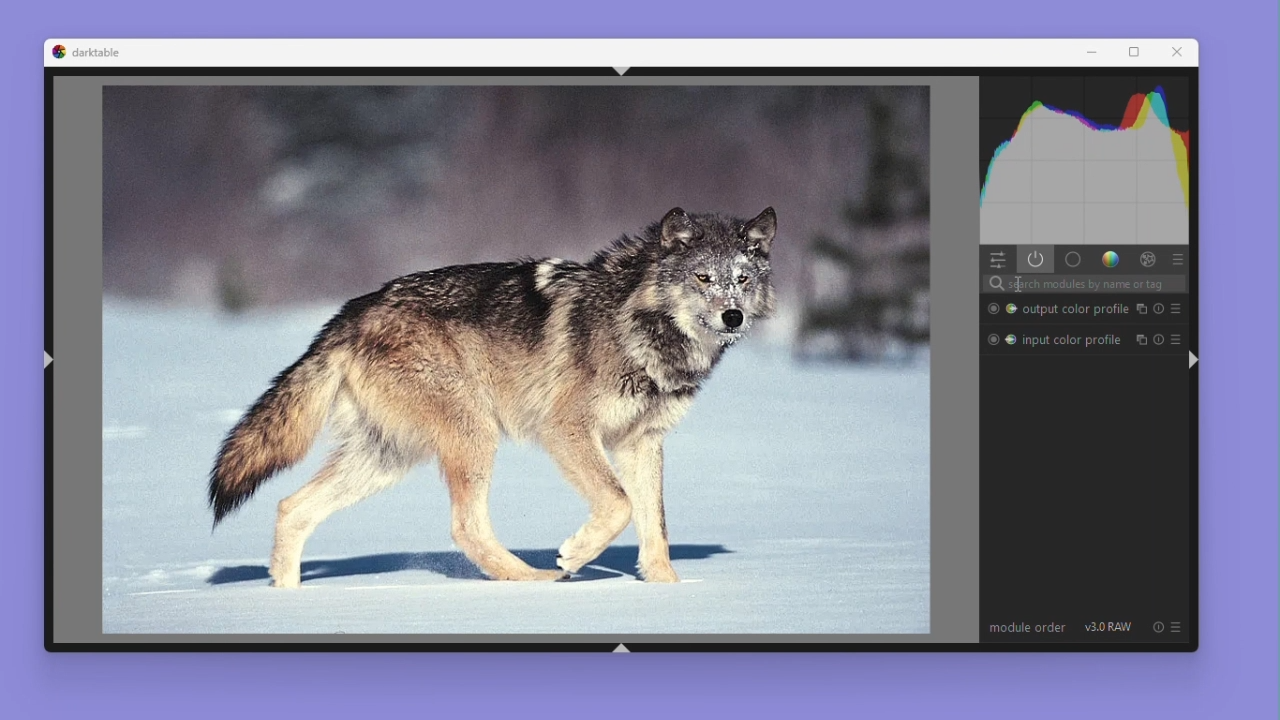  What do you see at coordinates (503, 361) in the screenshot?
I see `Image` at bounding box center [503, 361].